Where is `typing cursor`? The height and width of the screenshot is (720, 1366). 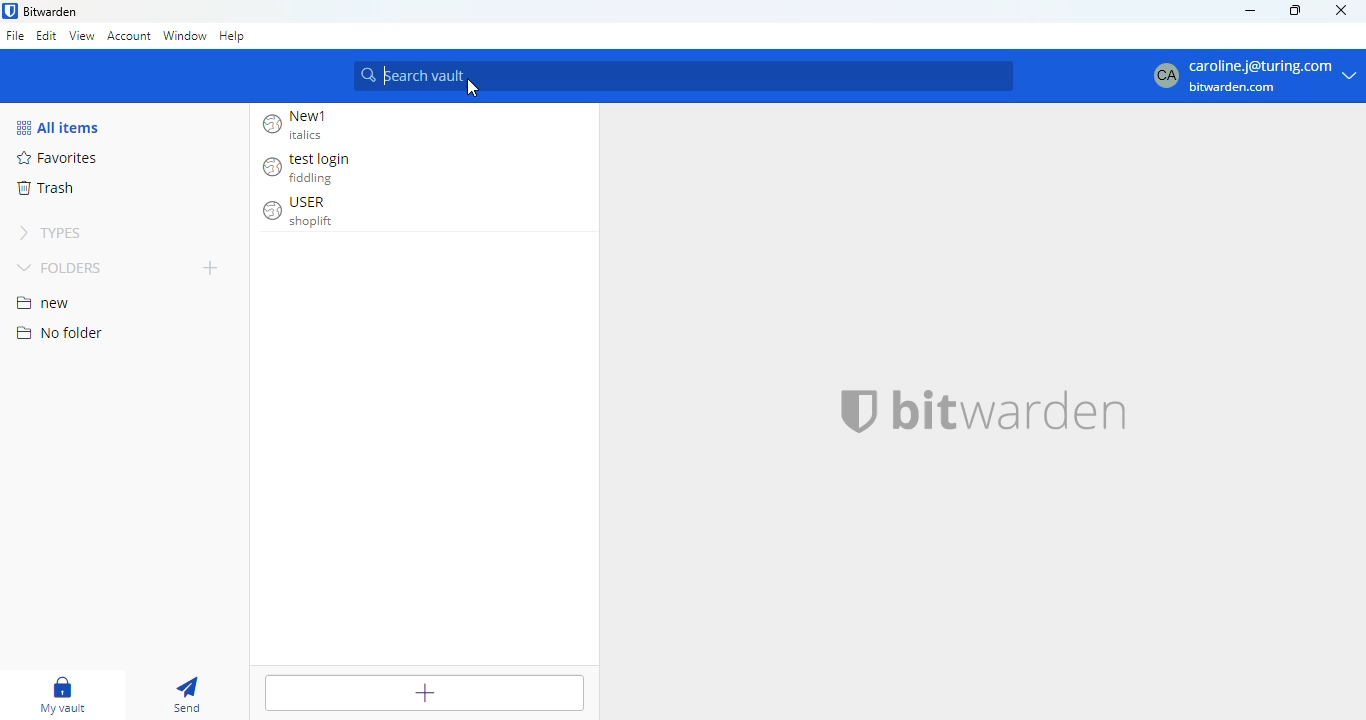 typing cursor is located at coordinates (388, 76).